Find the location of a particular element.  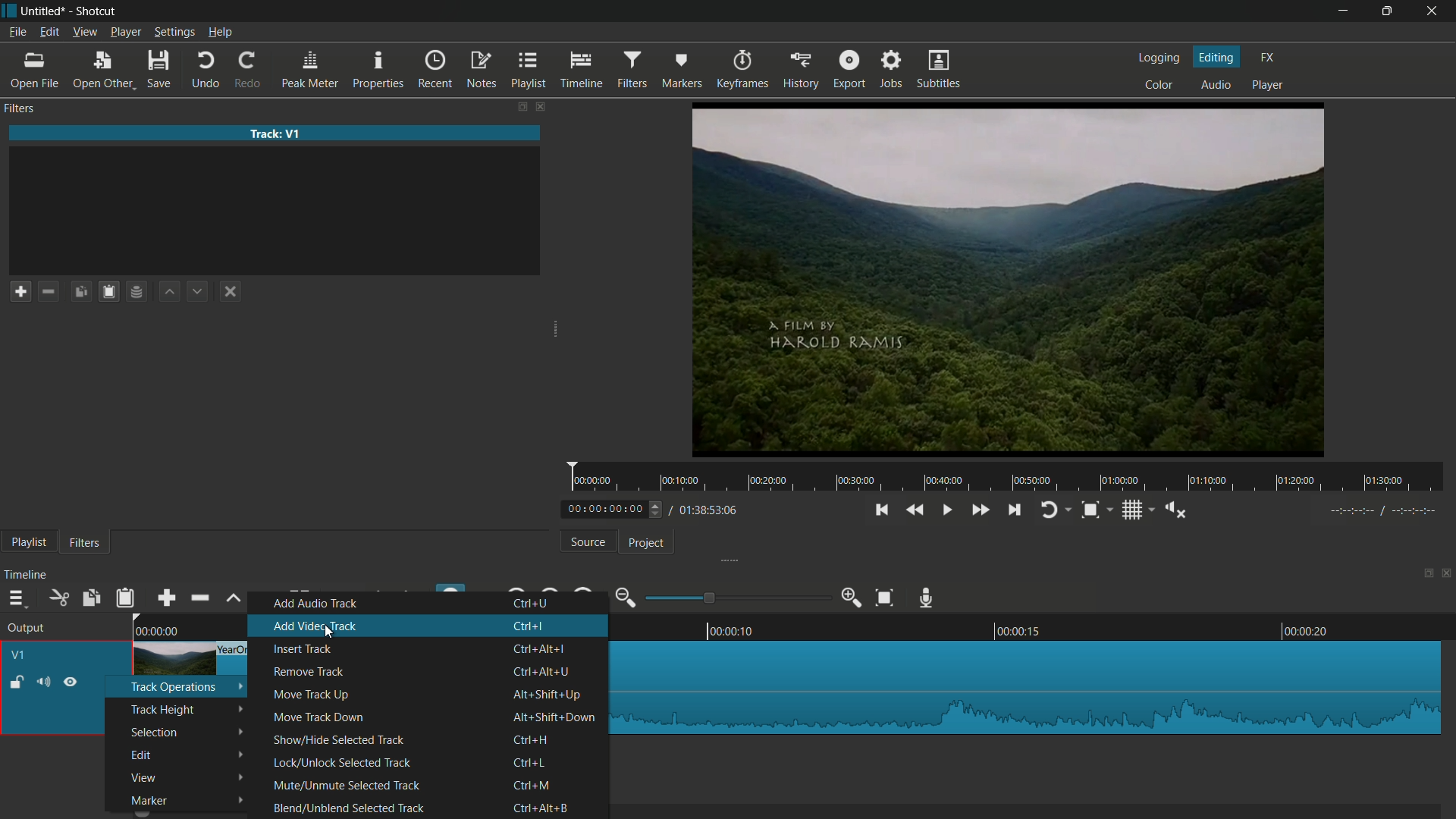

copy is located at coordinates (93, 598).